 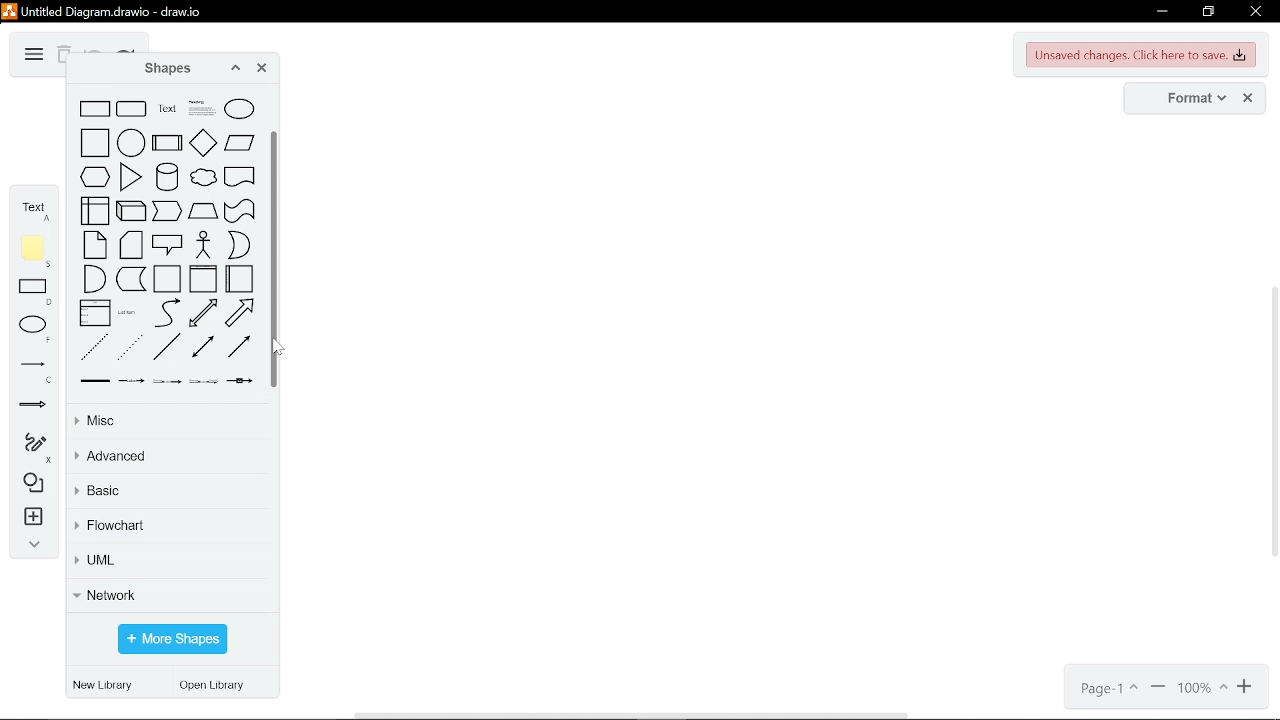 I want to click on link, so click(x=95, y=381).